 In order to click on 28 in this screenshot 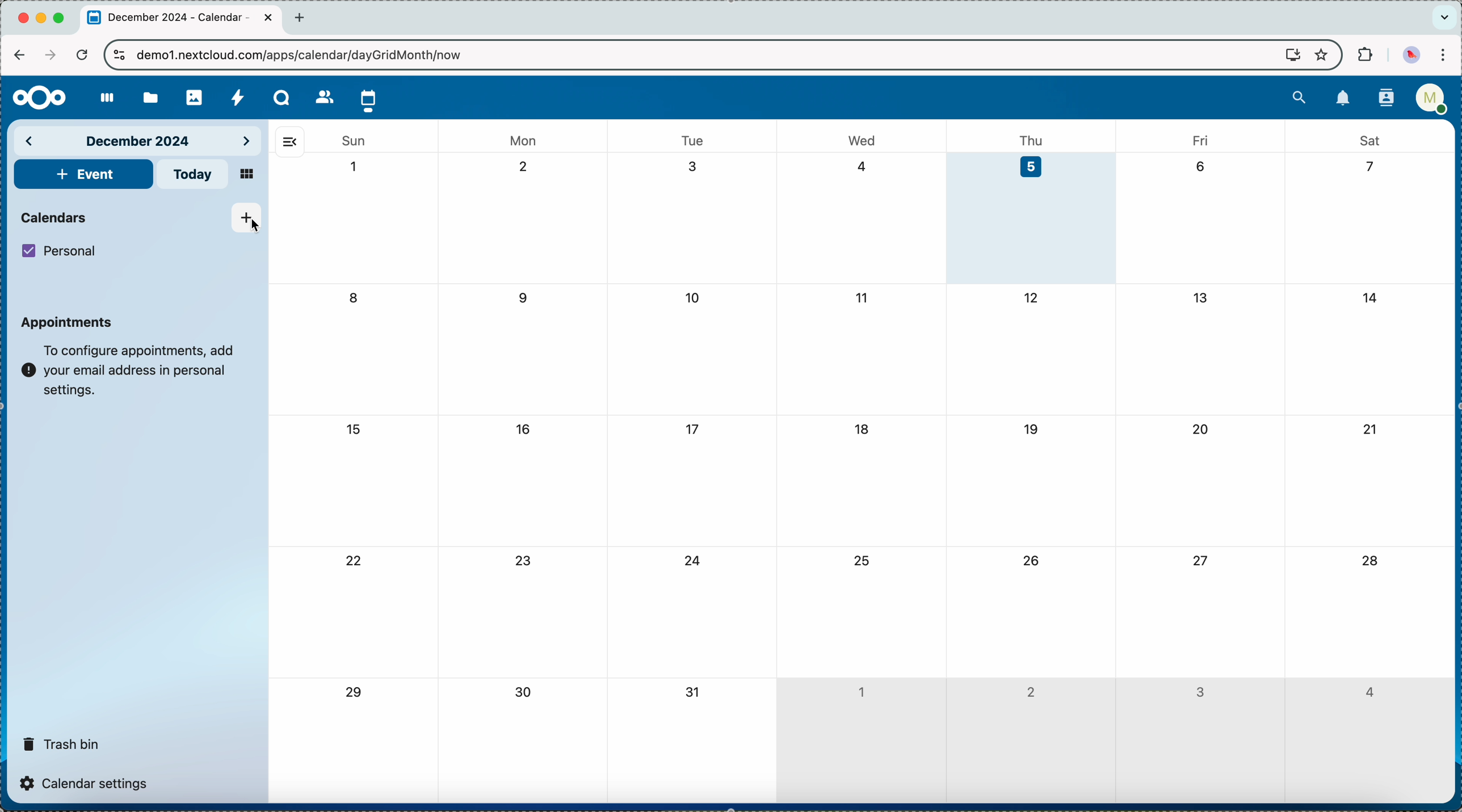, I will do `click(1369, 562)`.